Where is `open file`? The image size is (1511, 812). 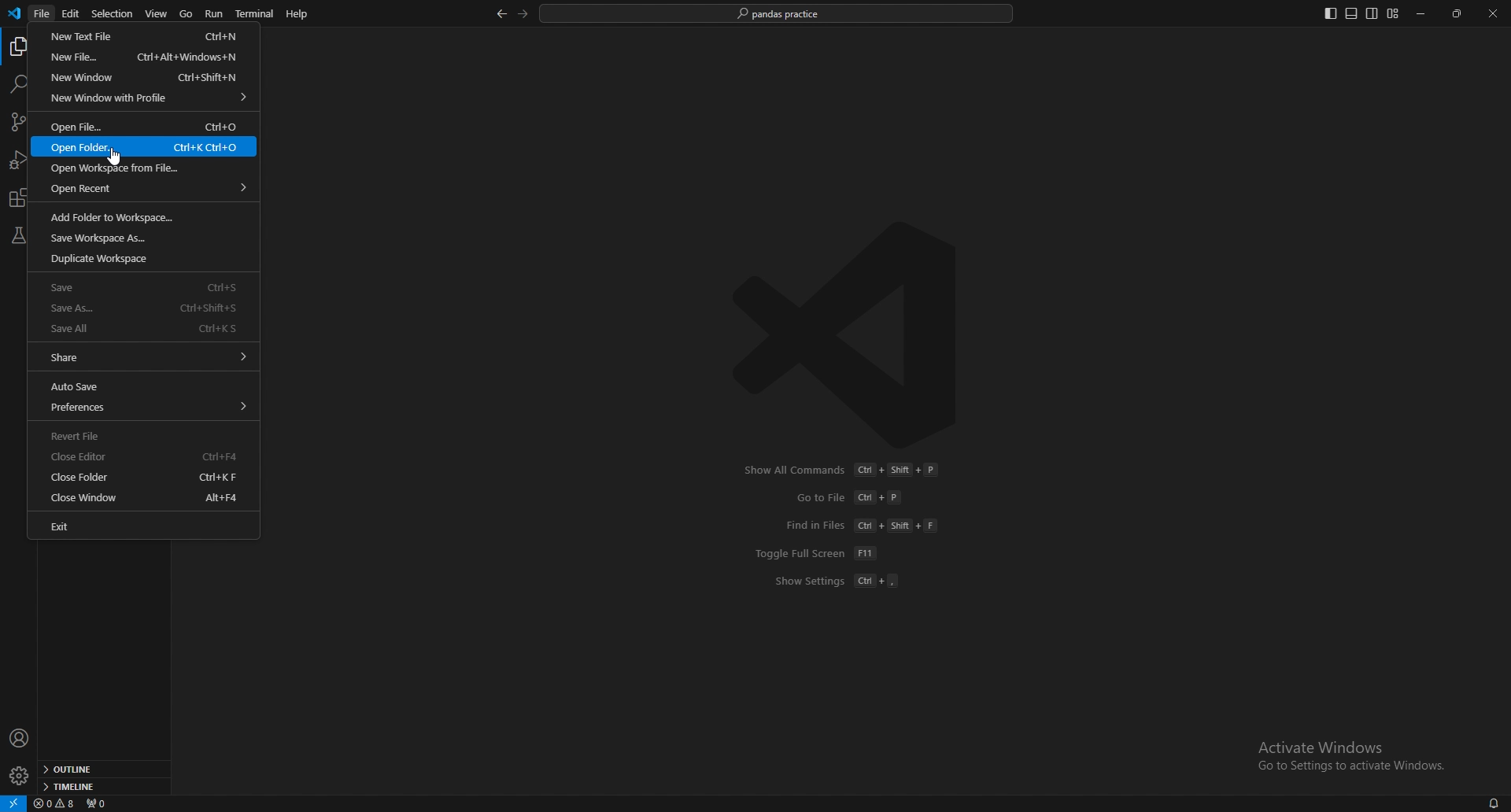 open file is located at coordinates (144, 126).